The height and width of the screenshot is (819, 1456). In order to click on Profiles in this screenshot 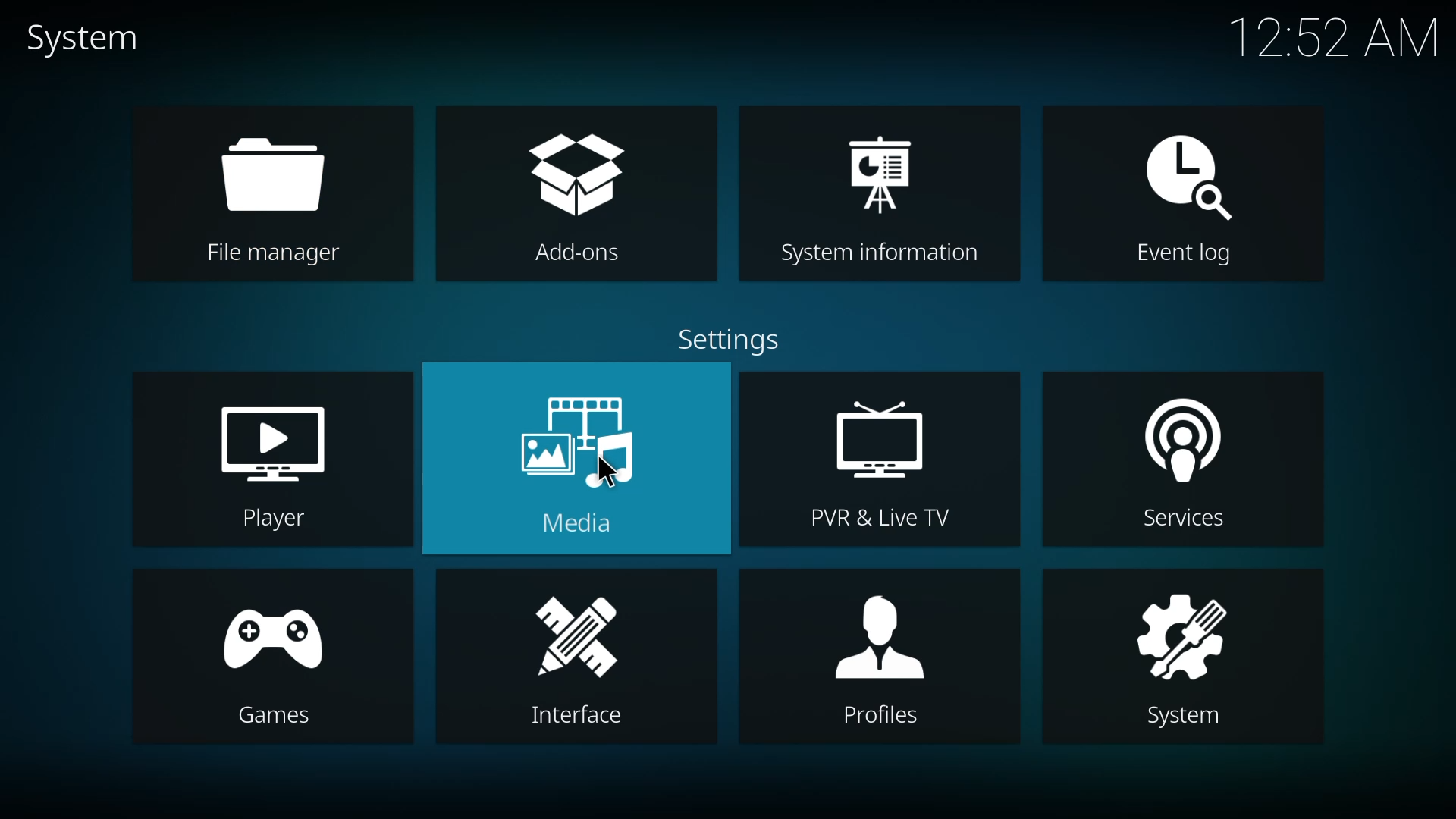, I will do `click(886, 717)`.